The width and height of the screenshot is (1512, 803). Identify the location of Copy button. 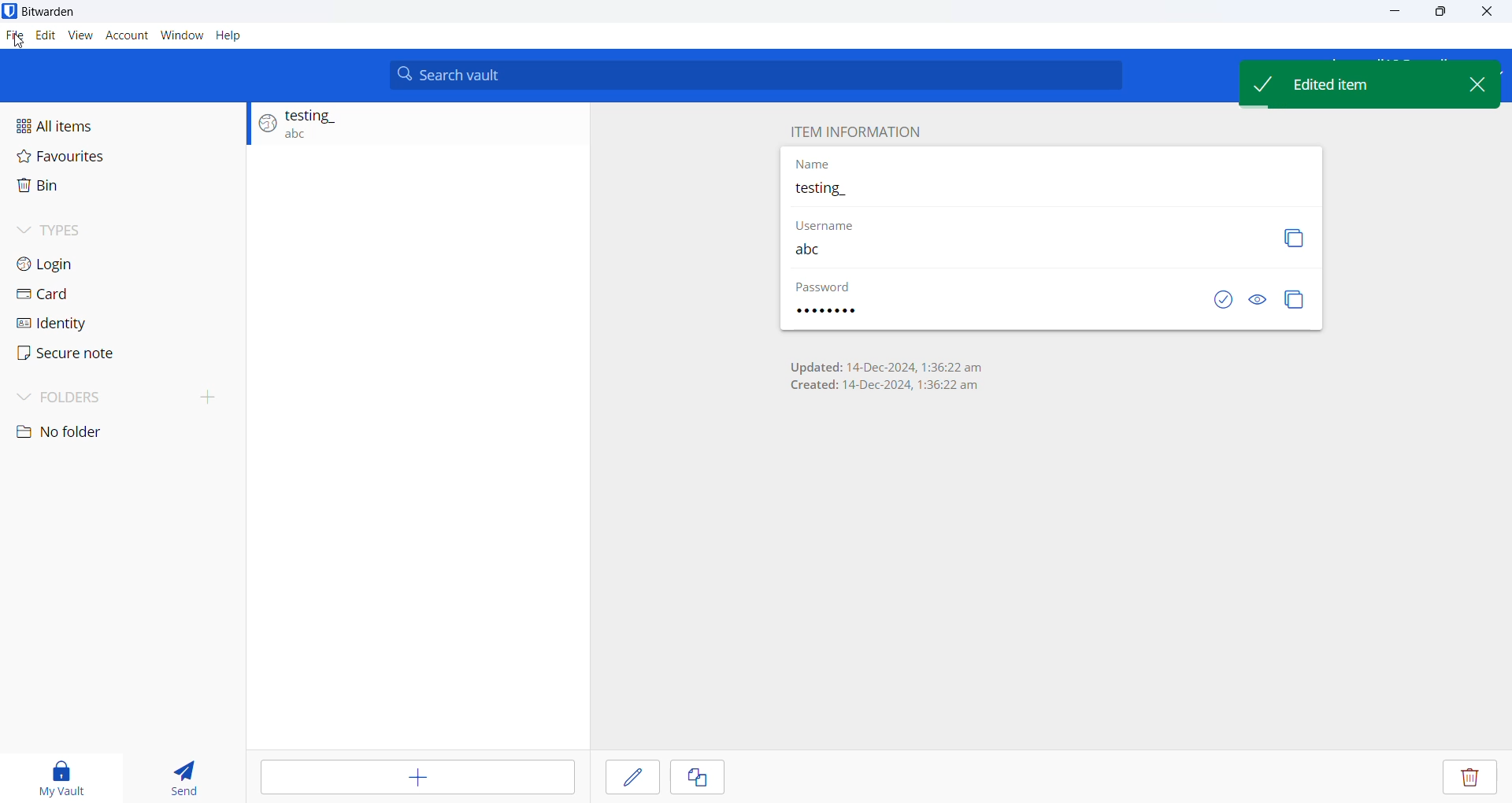
(1295, 238).